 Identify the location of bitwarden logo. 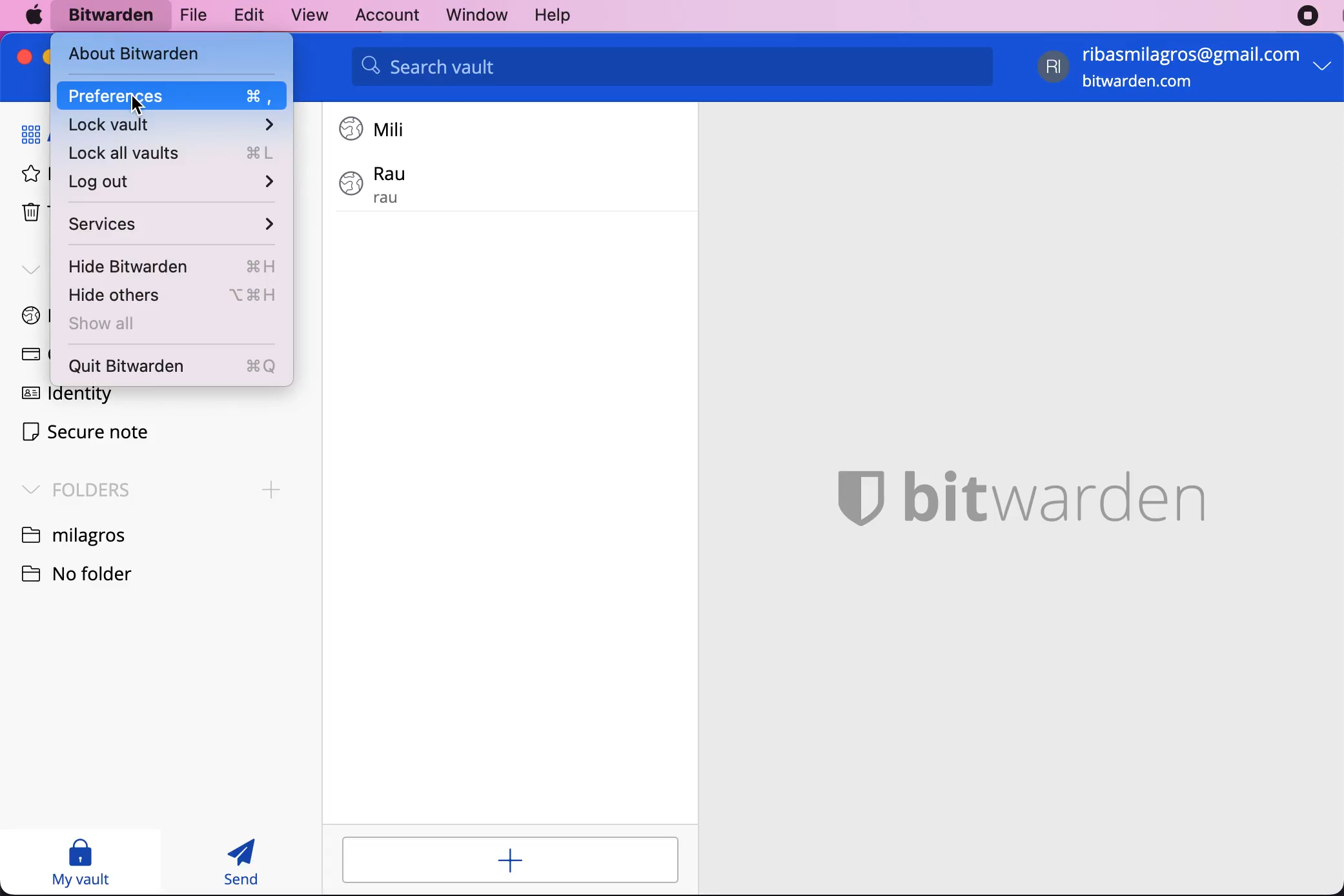
(1019, 491).